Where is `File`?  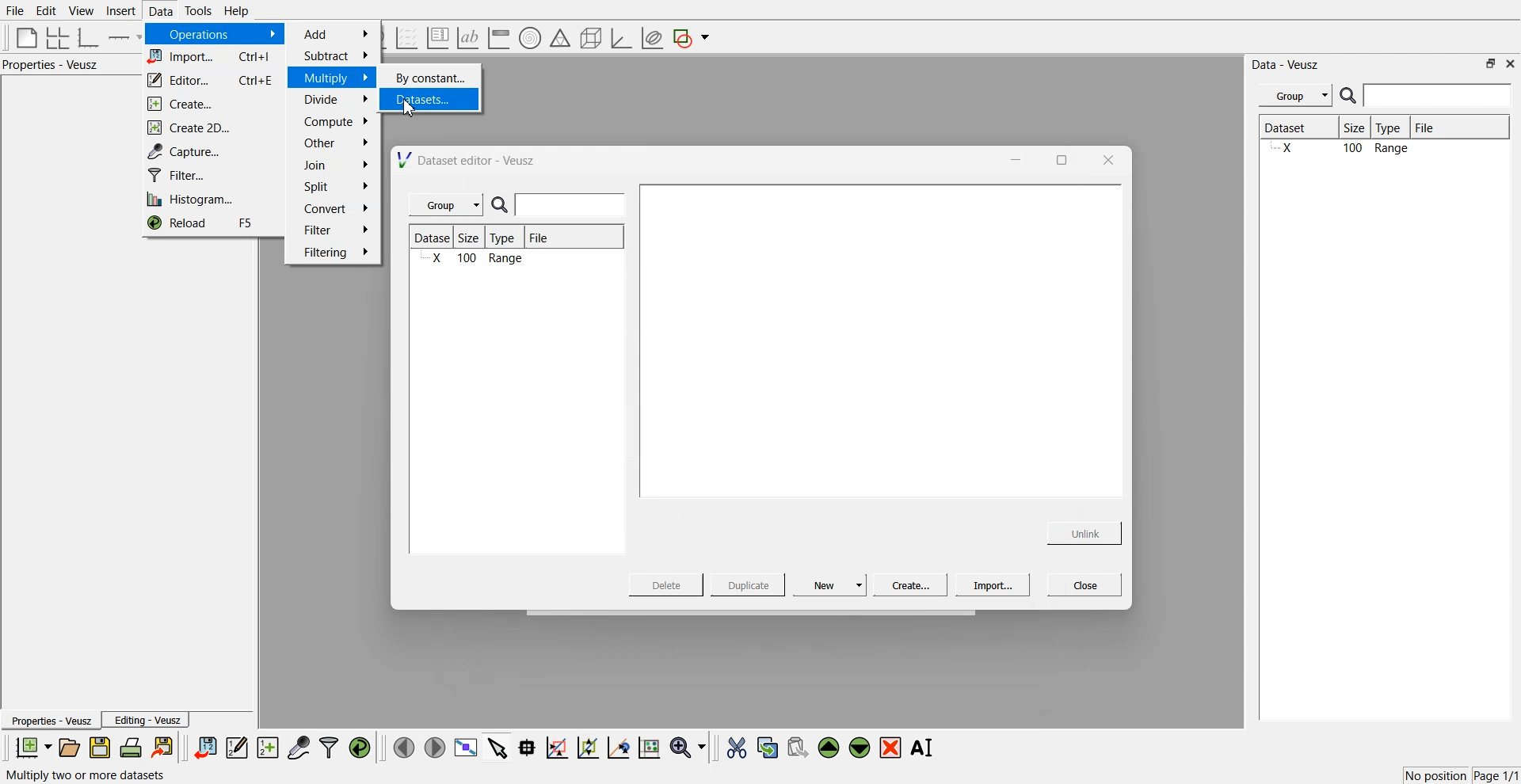
File is located at coordinates (1439, 127).